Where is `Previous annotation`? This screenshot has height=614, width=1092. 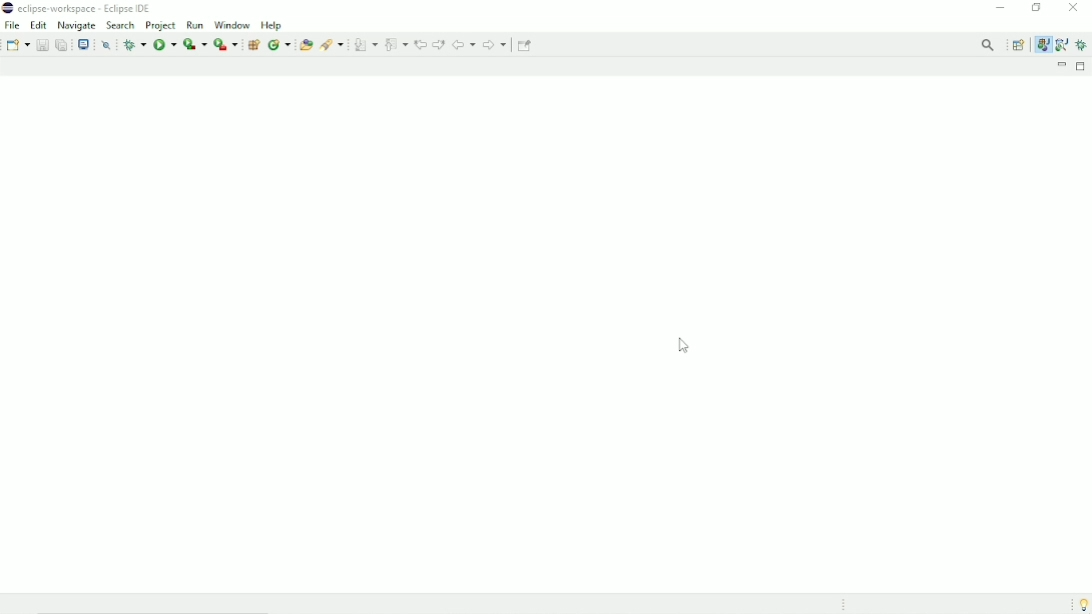
Previous annotation is located at coordinates (395, 44).